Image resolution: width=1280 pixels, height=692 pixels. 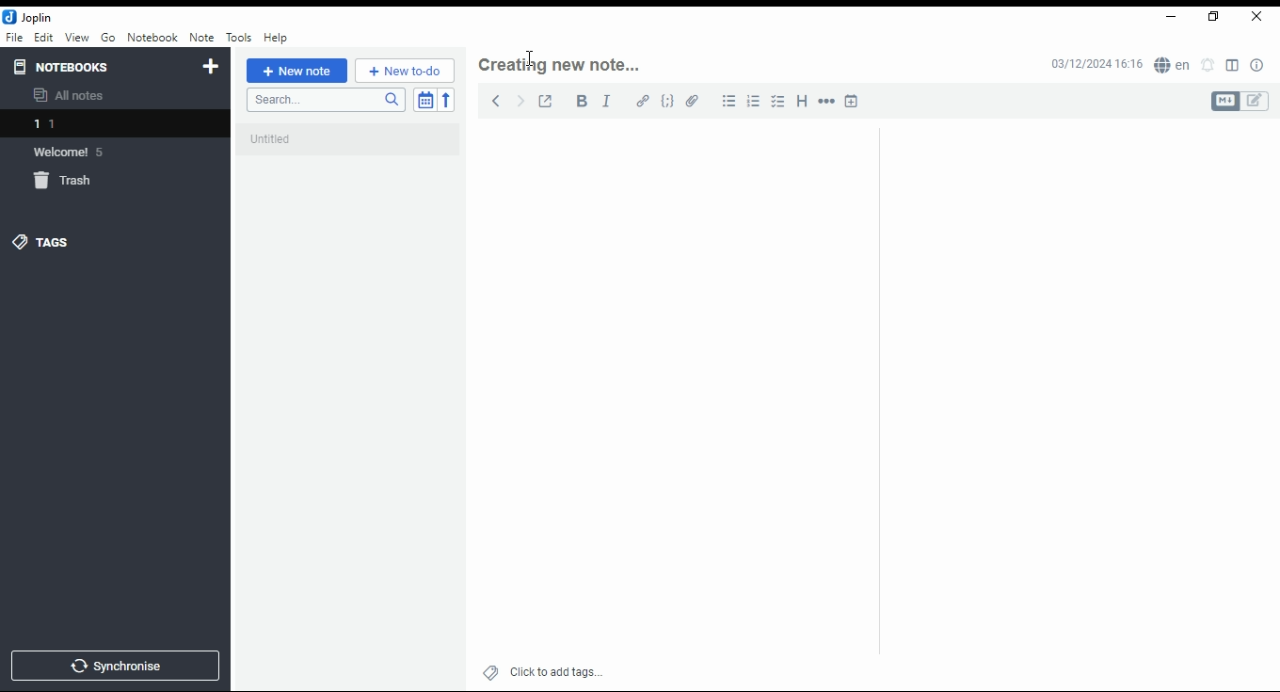 What do you see at coordinates (73, 151) in the screenshot?
I see `notebook: welcome` at bounding box center [73, 151].